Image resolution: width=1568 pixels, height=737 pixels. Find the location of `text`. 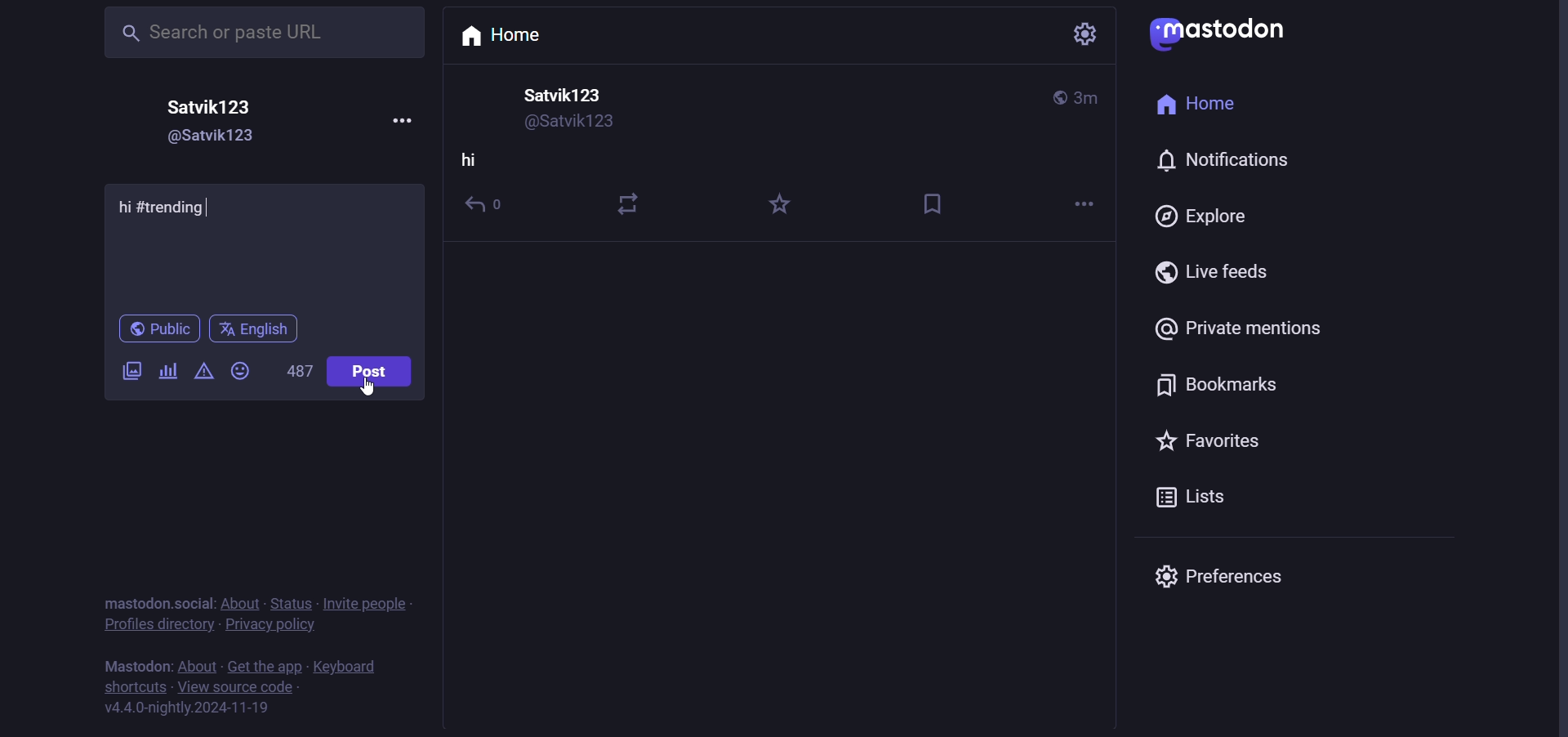

text is located at coordinates (136, 668).